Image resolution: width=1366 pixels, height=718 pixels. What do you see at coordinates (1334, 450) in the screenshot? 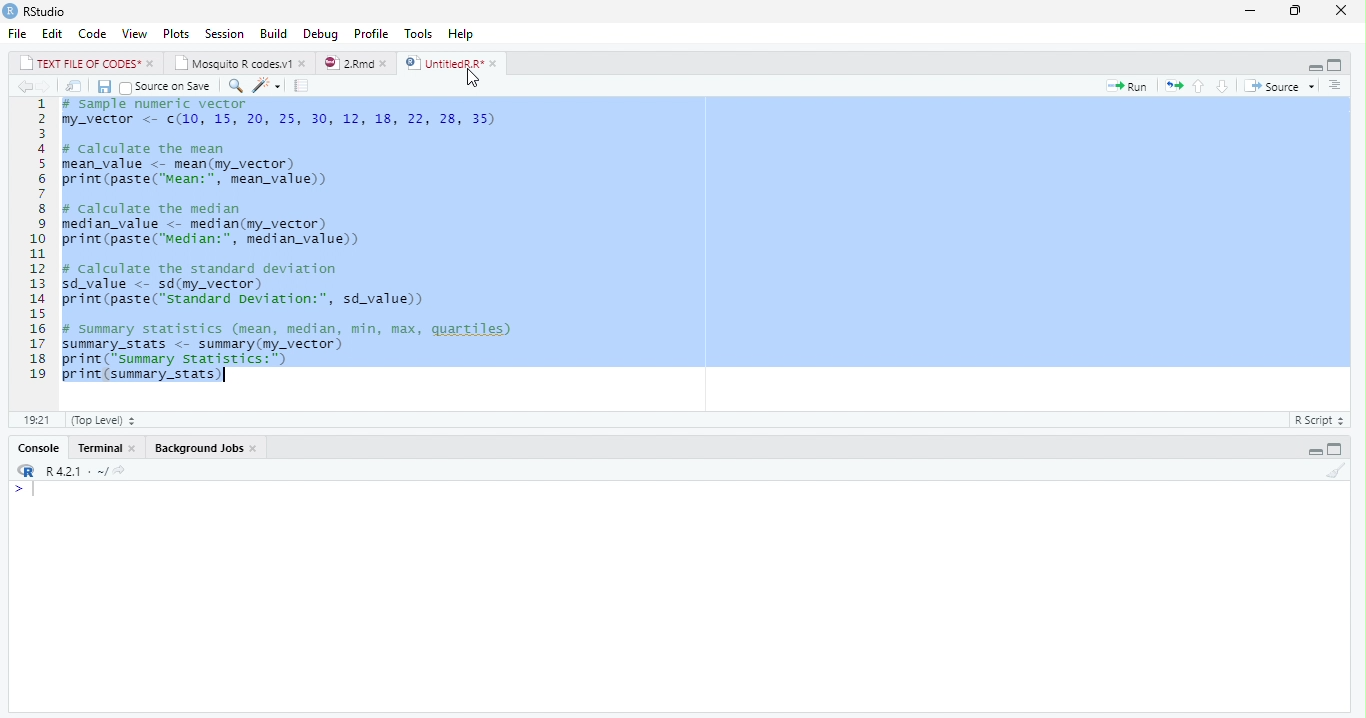
I see `maximize` at bounding box center [1334, 450].